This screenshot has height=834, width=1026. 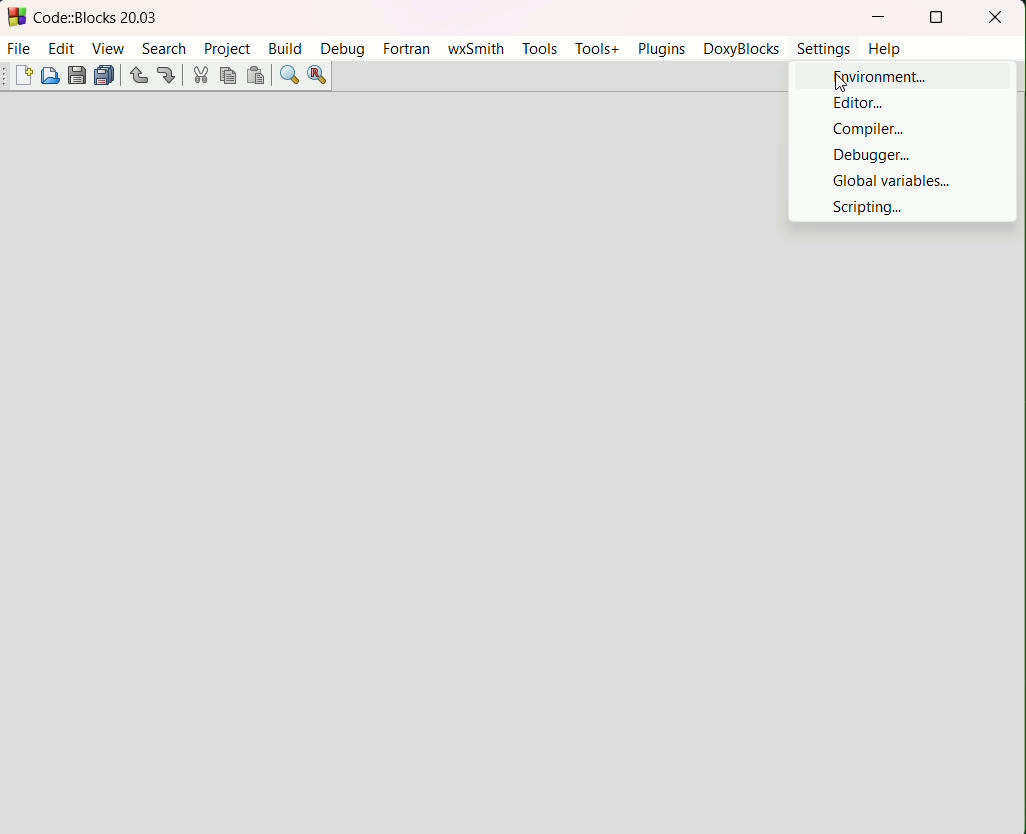 I want to click on environment, so click(x=876, y=77).